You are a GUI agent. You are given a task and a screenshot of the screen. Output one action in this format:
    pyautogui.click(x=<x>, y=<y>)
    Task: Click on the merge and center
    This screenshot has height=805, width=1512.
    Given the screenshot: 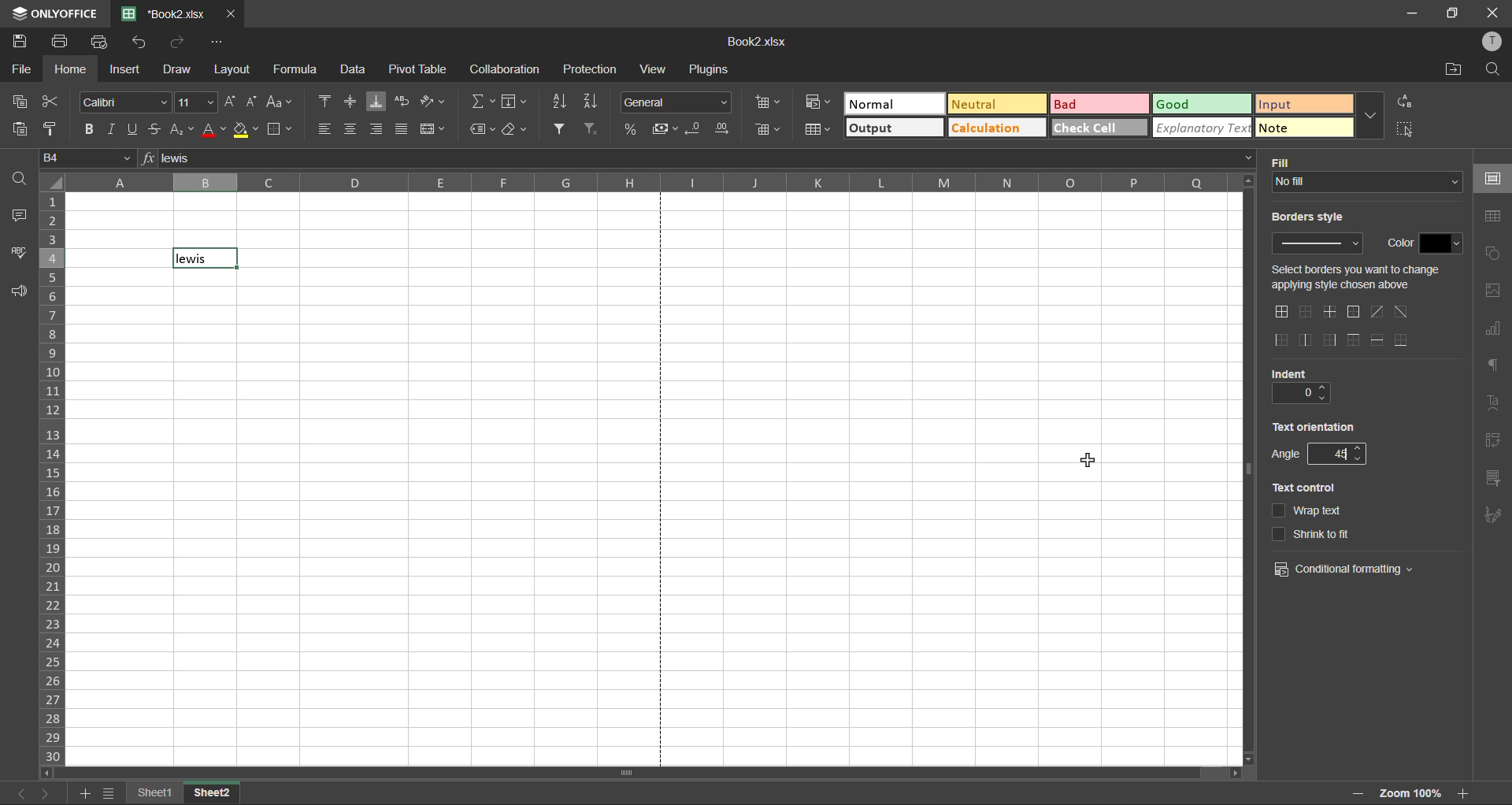 What is the action you would take?
    pyautogui.click(x=432, y=128)
    